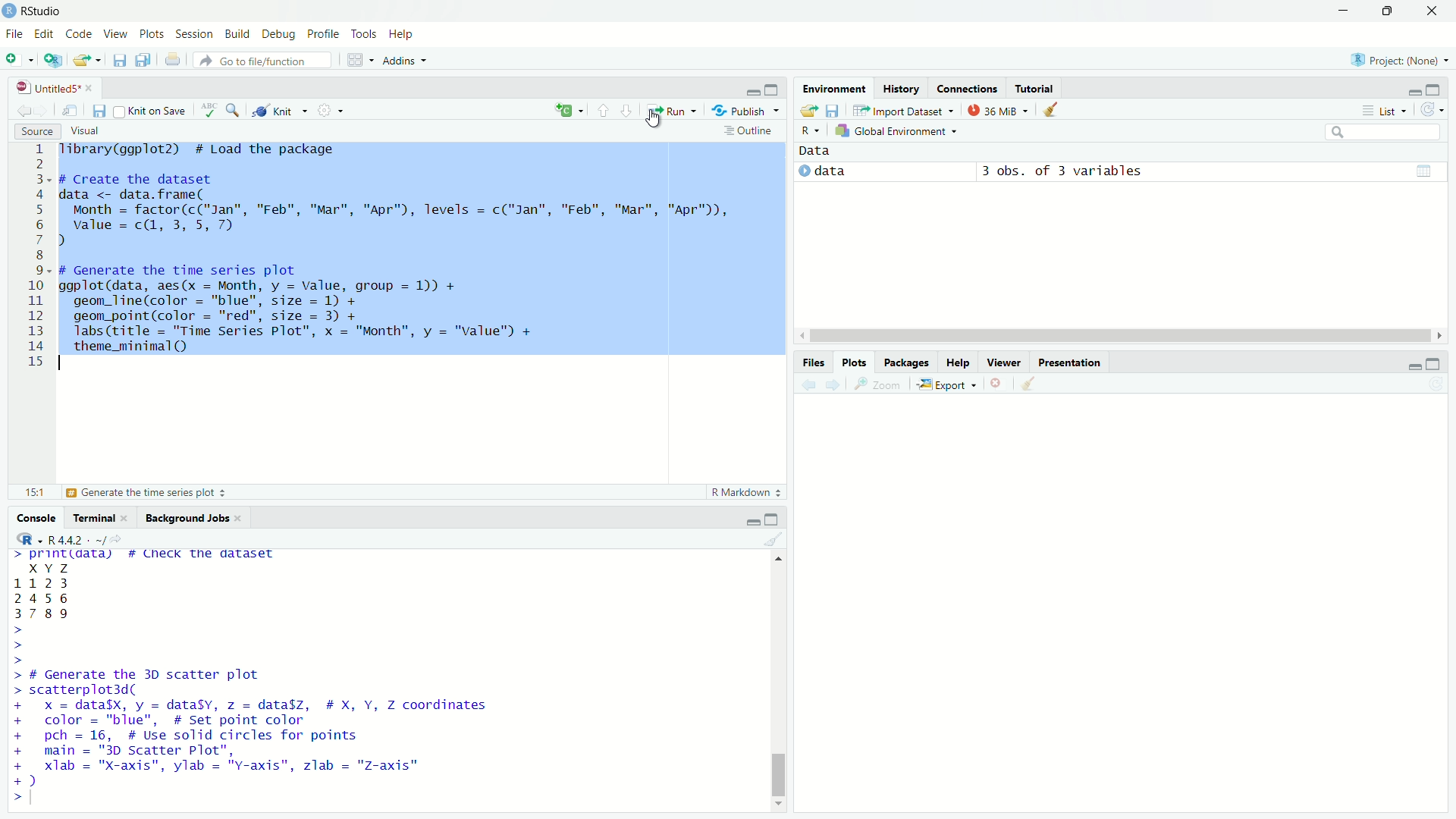 The width and height of the screenshot is (1456, 819). I want to click on remove the current plot, so click(998, 383).